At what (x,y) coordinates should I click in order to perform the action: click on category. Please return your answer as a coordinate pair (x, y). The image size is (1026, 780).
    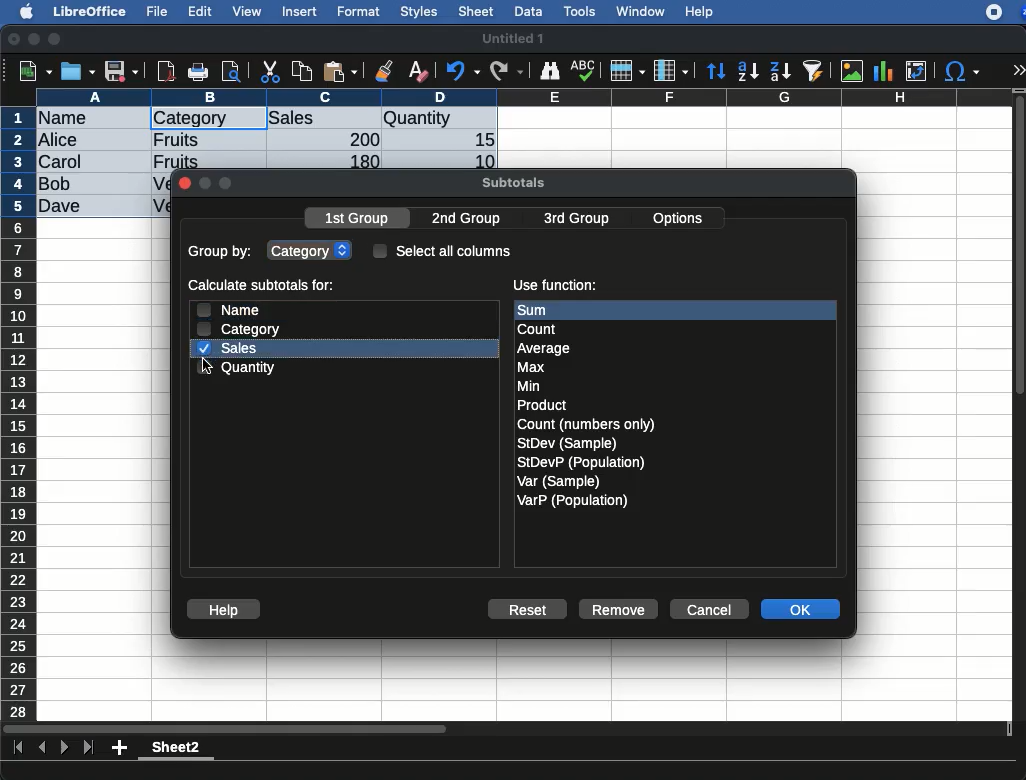
    Looking at the image, I should click on (190, 119).